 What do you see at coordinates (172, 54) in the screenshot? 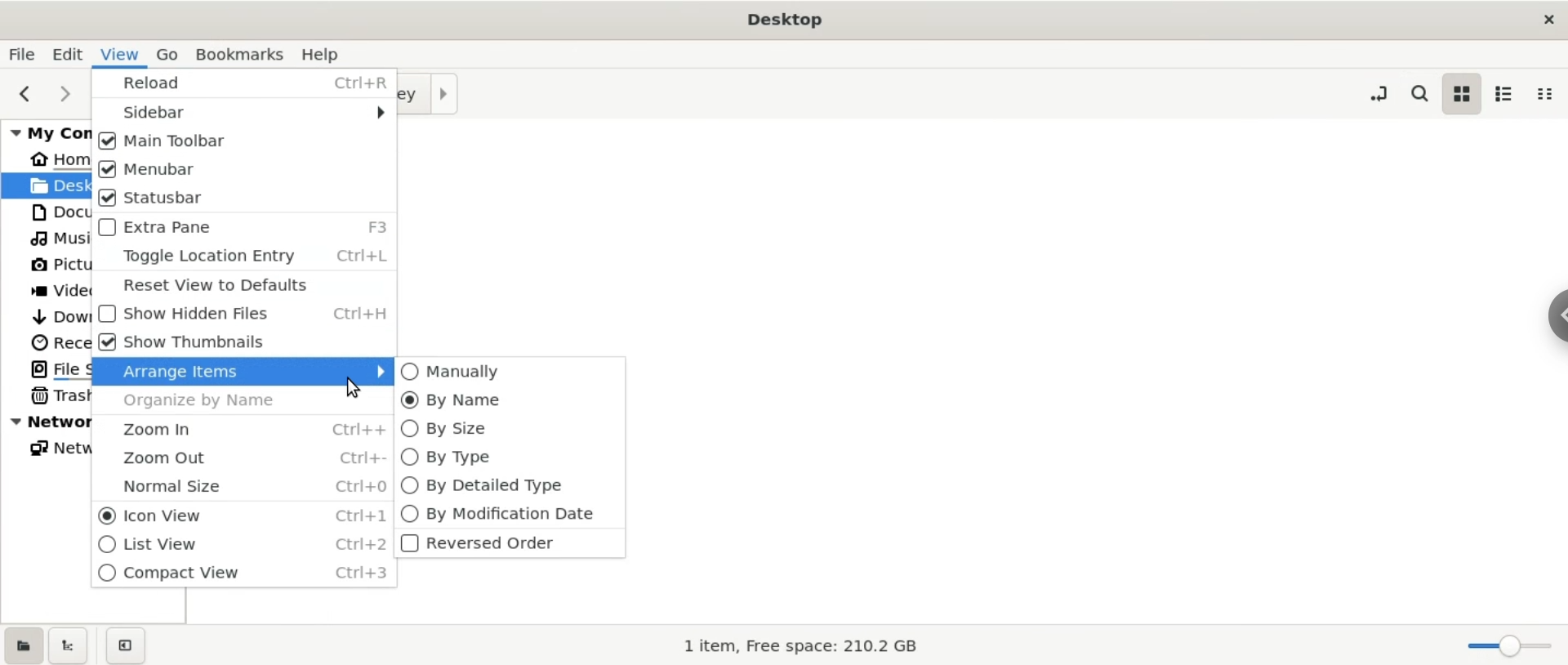
I see `go ` at bounding box center [172, 54].